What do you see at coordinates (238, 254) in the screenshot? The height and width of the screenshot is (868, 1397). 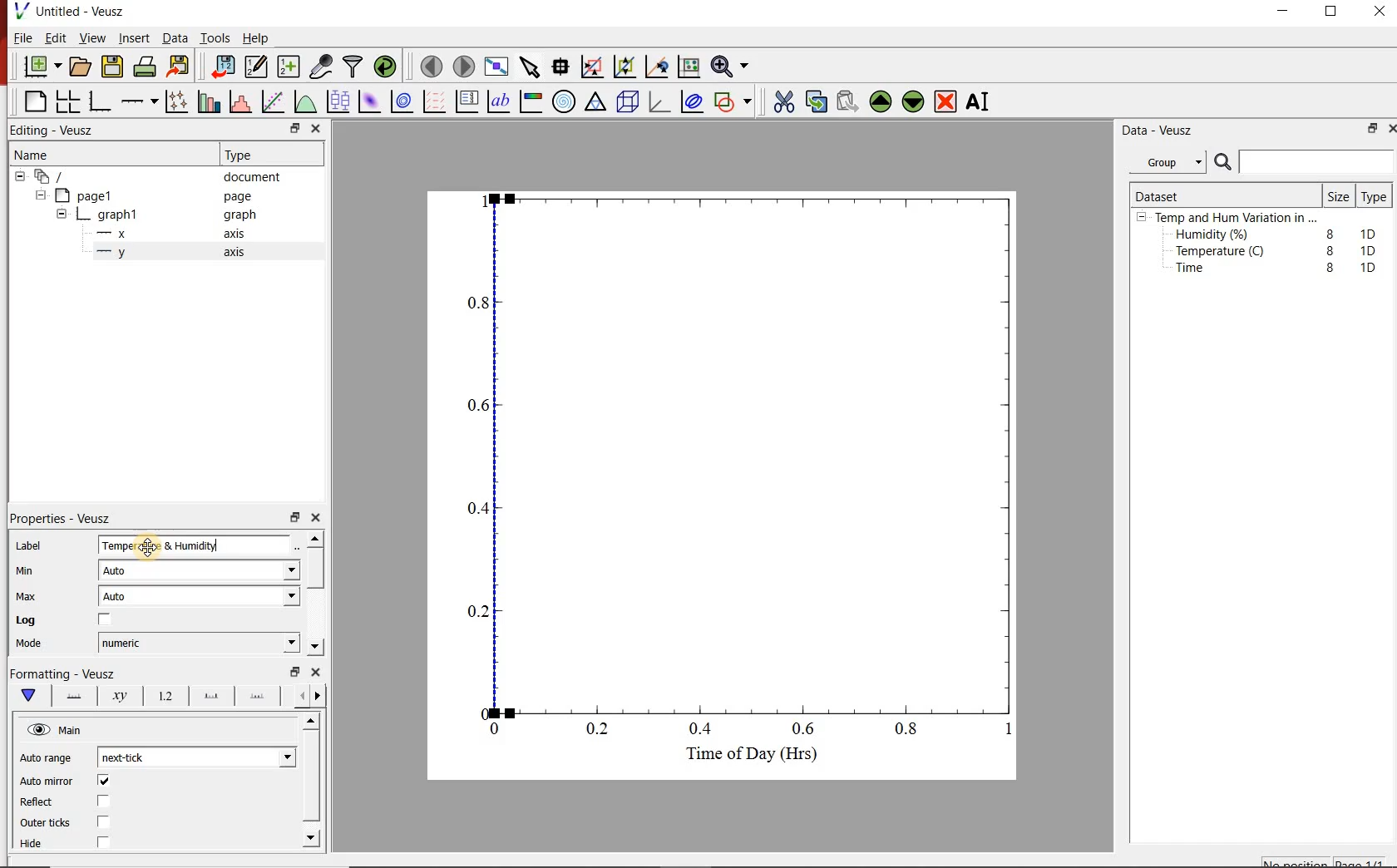 I see `axis` at bounding box center [238, 254].